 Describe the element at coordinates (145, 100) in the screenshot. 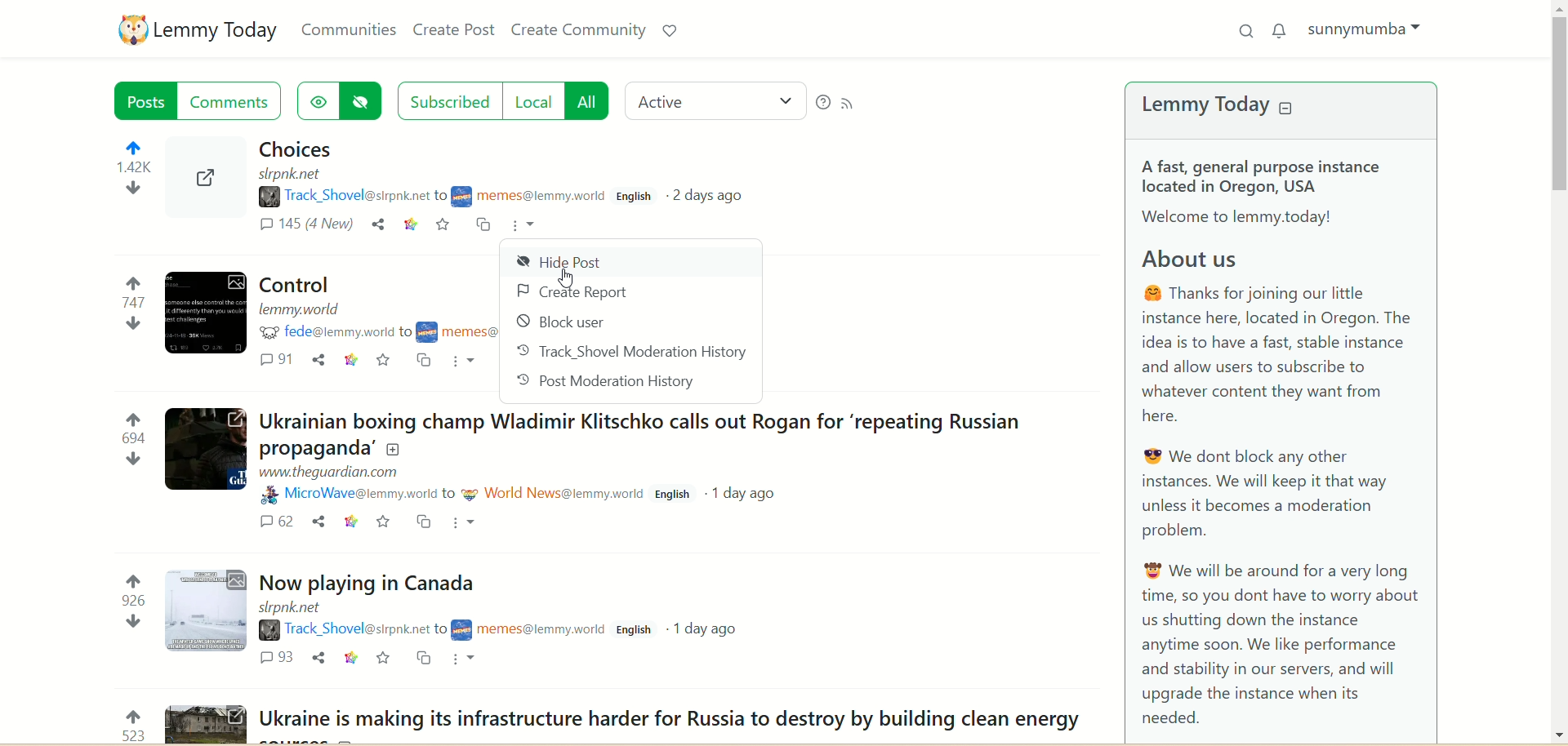

I see `posts` at that location.